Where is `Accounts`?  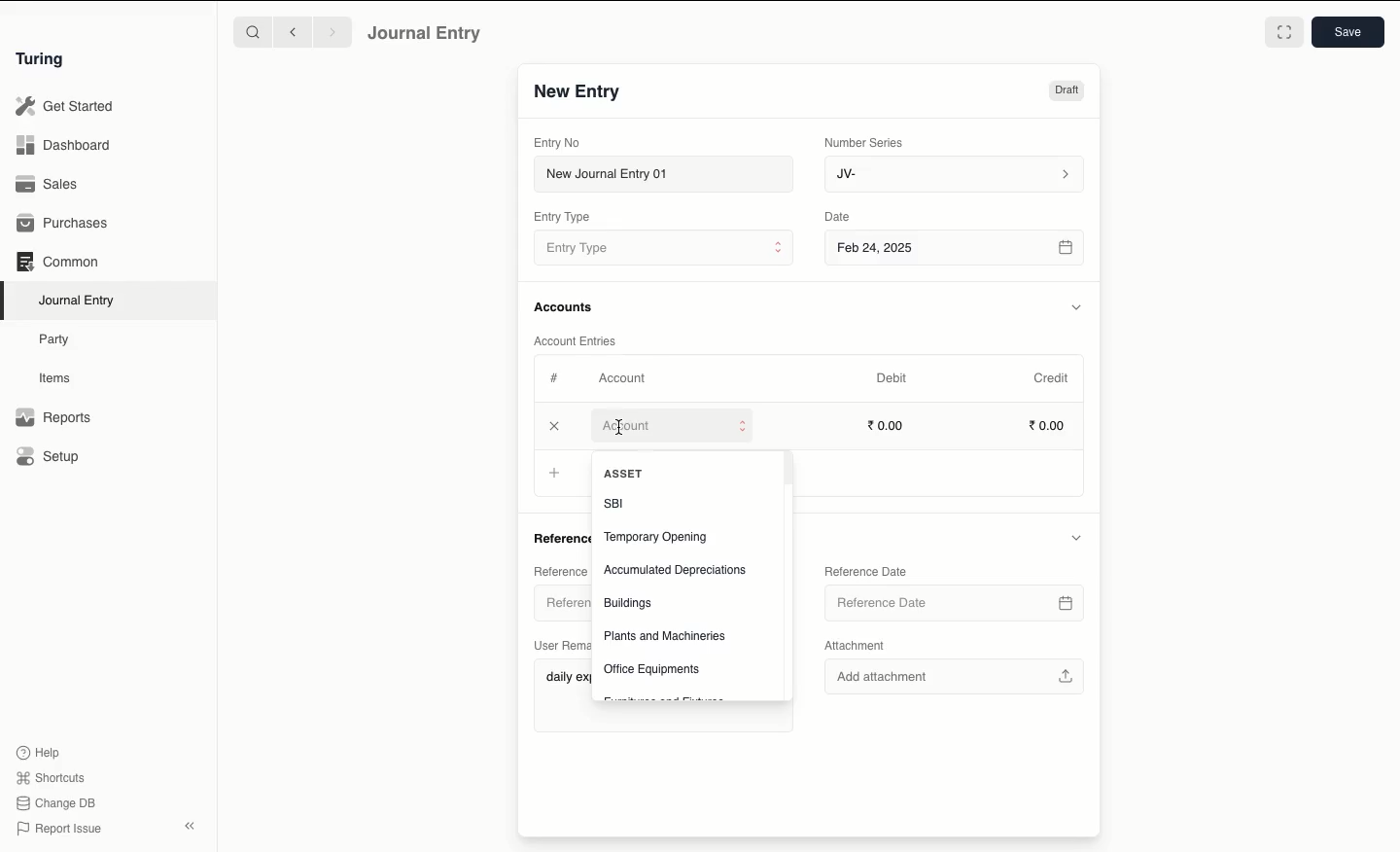 Accounts is located at coordinates (565, 307).